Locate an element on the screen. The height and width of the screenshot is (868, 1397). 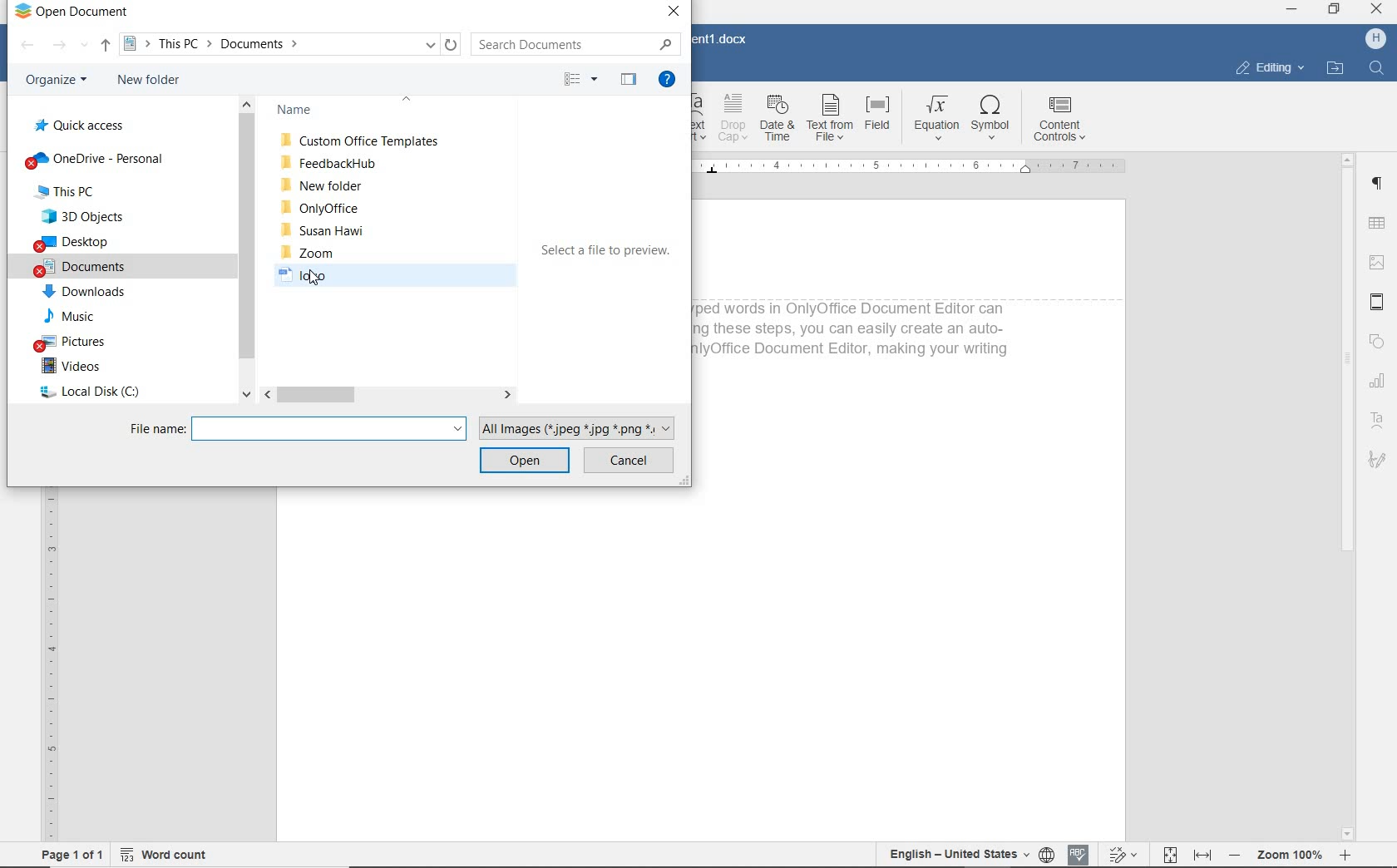
Zoom is located at coordinates (309, 253).